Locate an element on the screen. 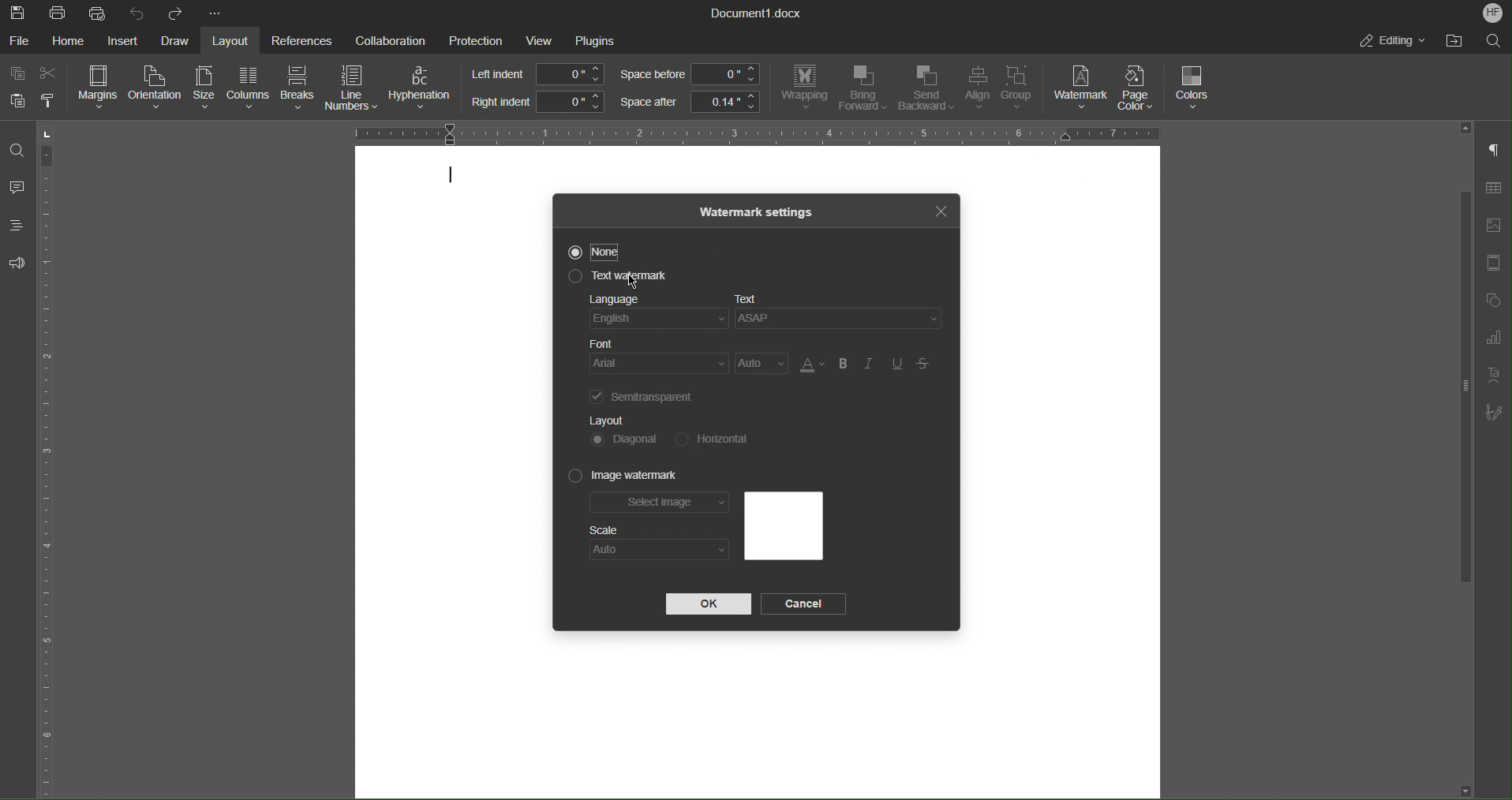 Image resolution: width=1512 pixels, height=800 pixels. Space after is located at coordinates (689, 102).